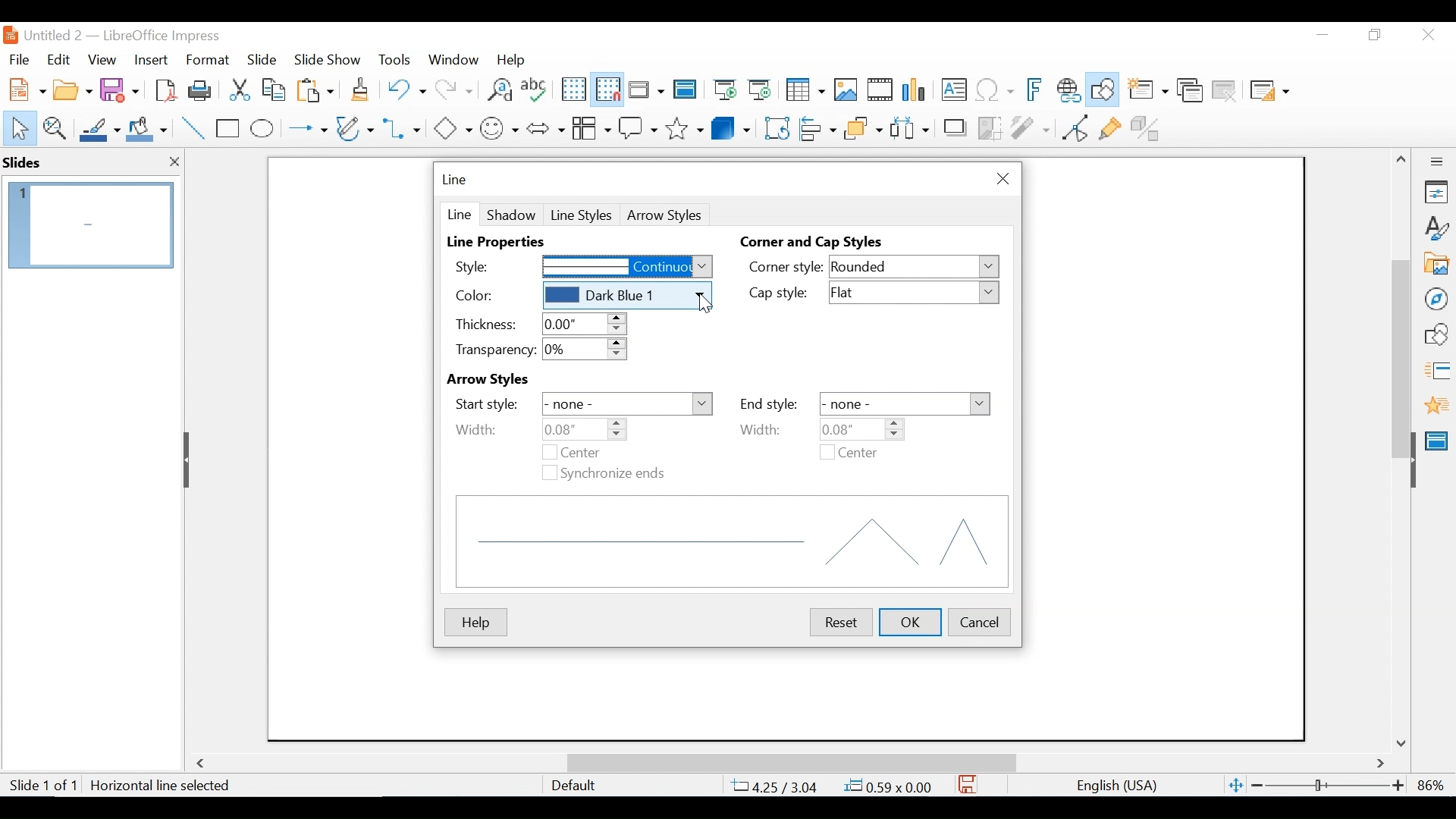 The height and width of the screenshot is (819, 1456). I want to click on Fit Slide to current window, so click(1236, 786).